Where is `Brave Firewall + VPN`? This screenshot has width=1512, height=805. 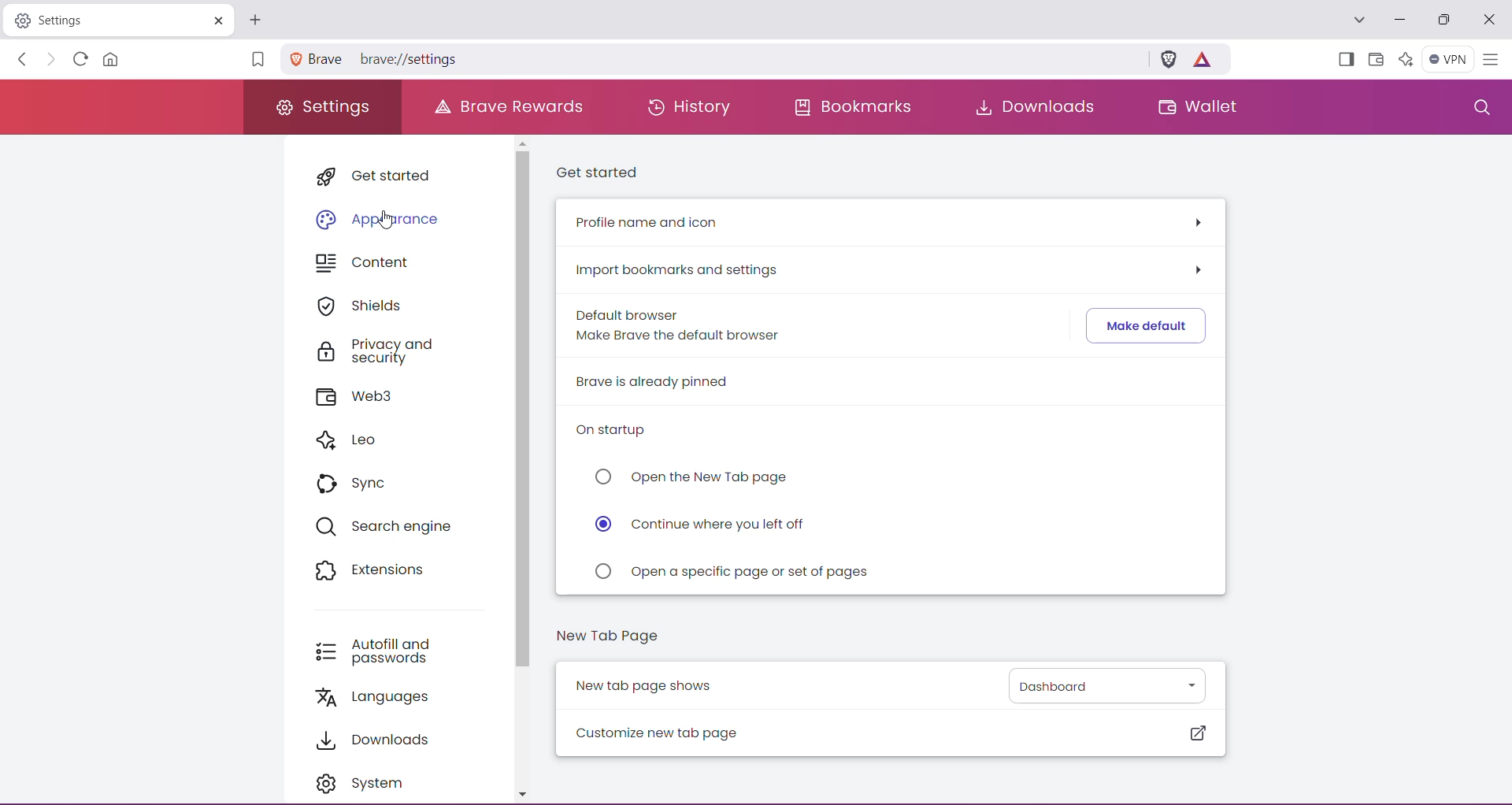 Brave Firewall + VPN is located at coordinates (1447, 57).